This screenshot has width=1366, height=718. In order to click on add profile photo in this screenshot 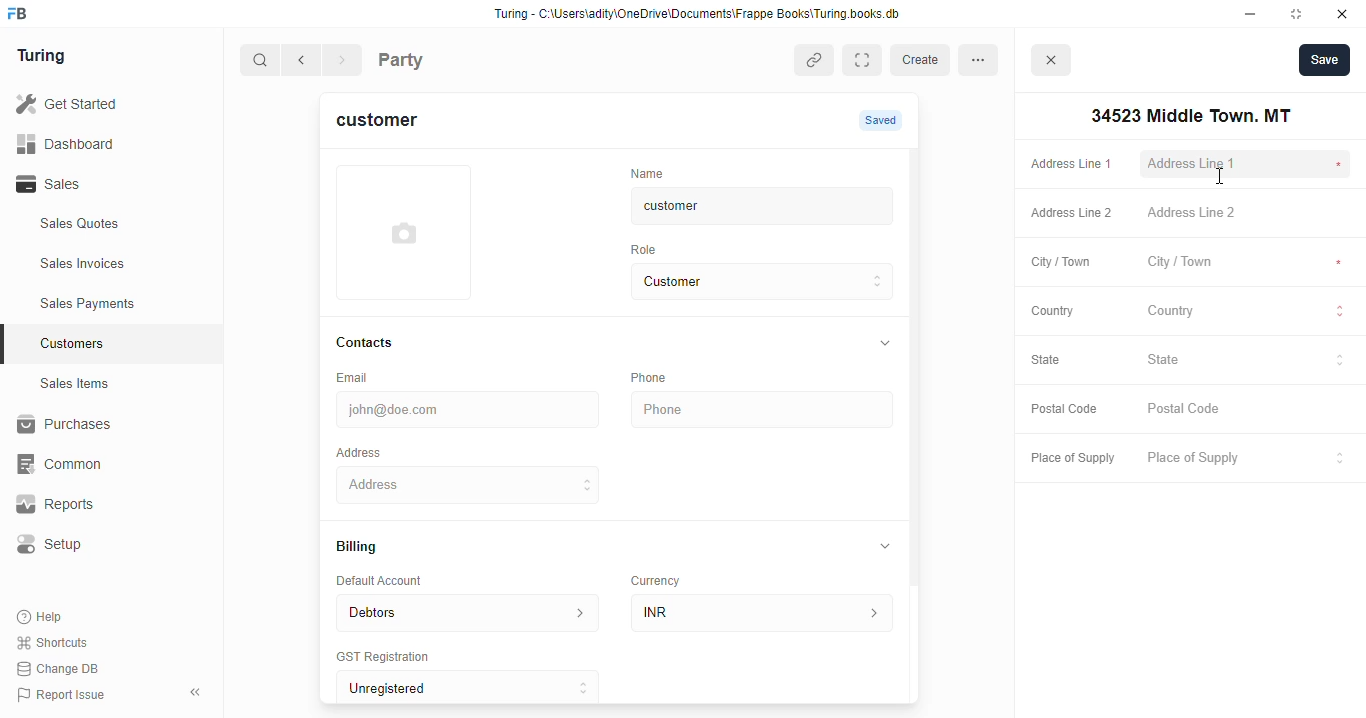, I will do `click(404, 232)`.